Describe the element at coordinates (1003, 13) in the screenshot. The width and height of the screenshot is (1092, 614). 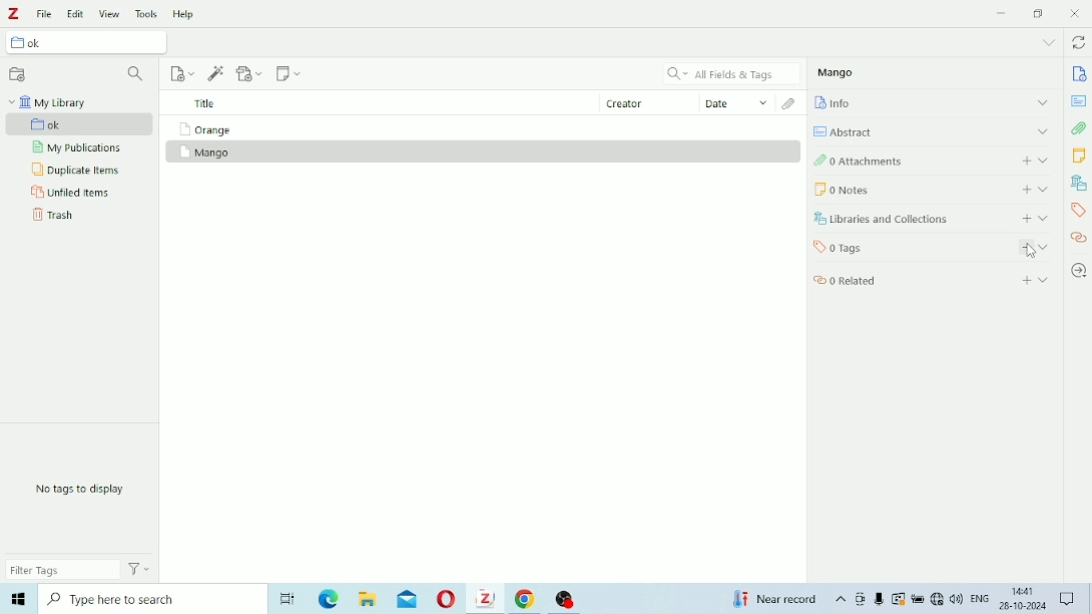
I see `Minimize` at that location.